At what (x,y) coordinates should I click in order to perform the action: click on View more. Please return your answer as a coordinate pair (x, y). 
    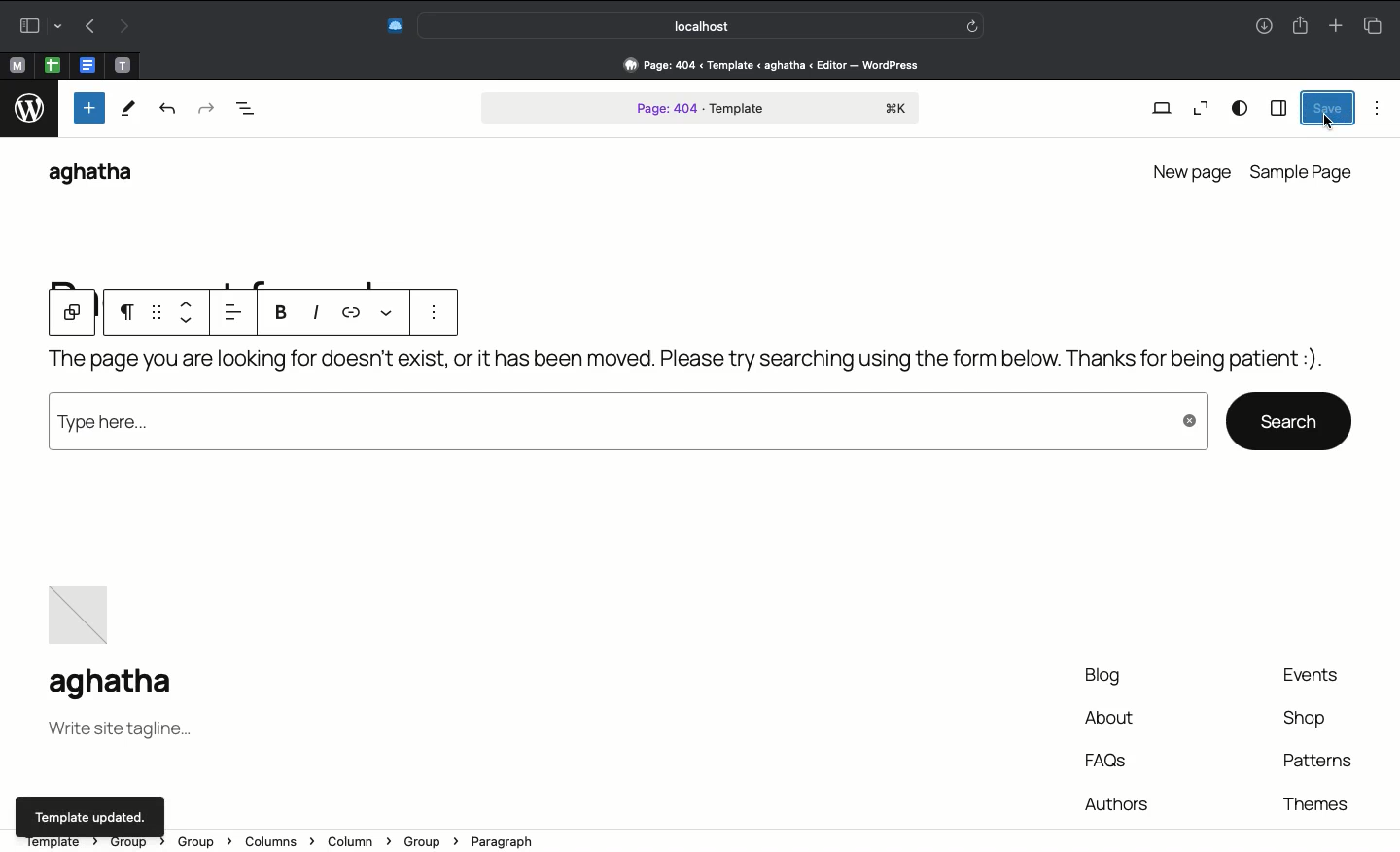
    Looking at the image, I should click on (384, 311).